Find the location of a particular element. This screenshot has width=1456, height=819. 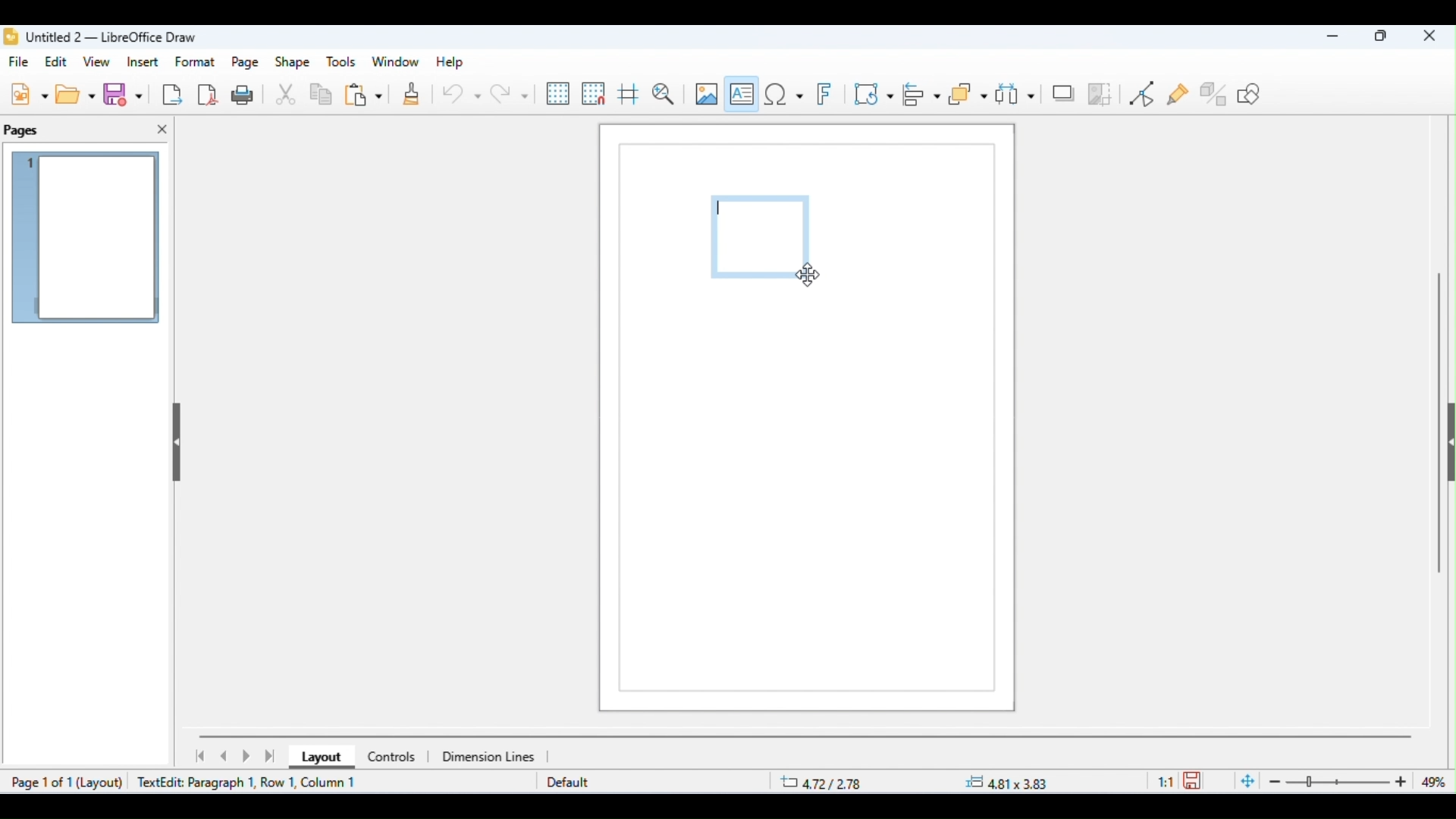

print is located at coordinates (246, 94).